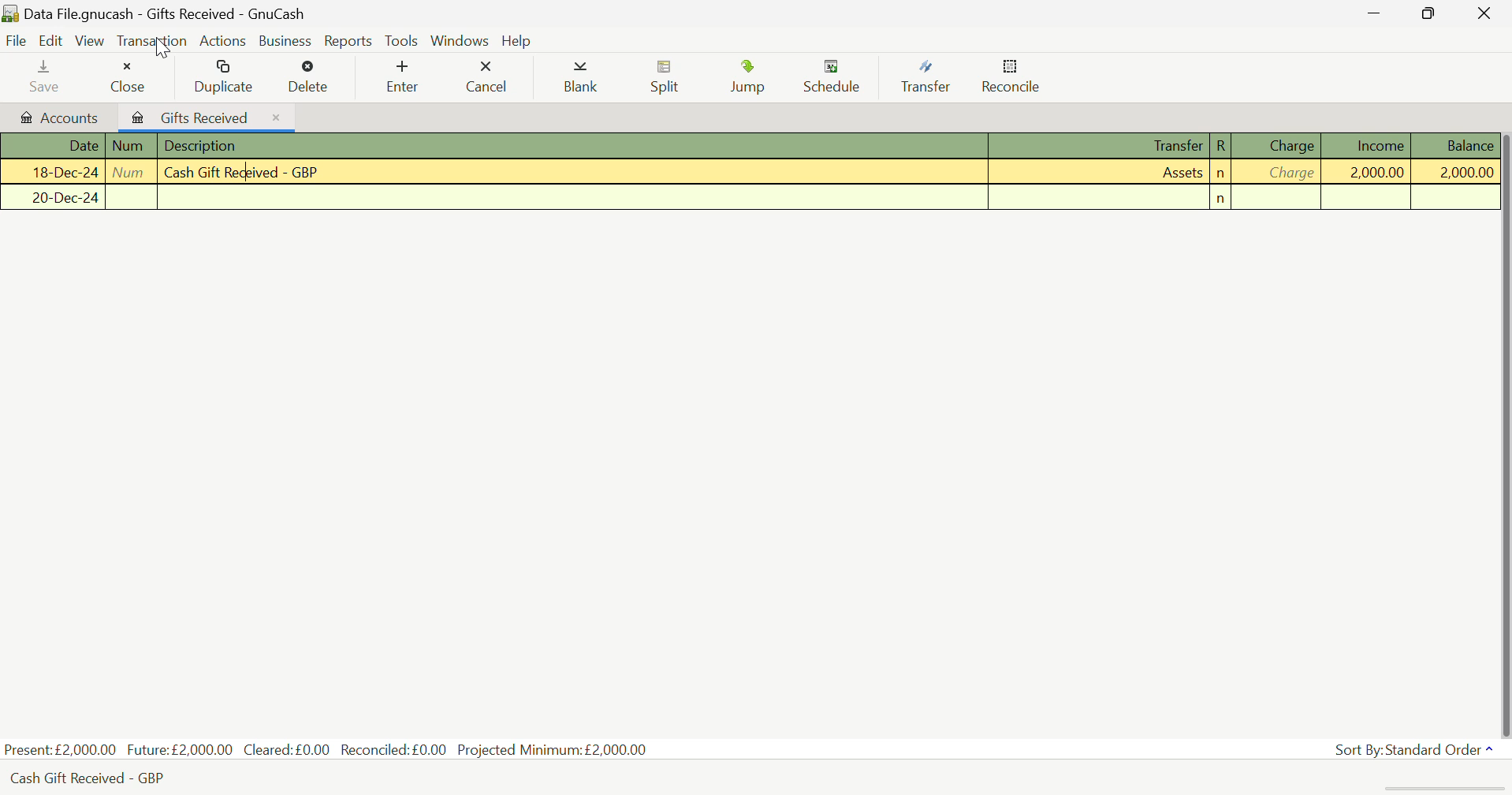 This screenshot has width=1512, height=795. Describe the element at coordinates (53, 198) in the screenshot. I see `Date` at that location.